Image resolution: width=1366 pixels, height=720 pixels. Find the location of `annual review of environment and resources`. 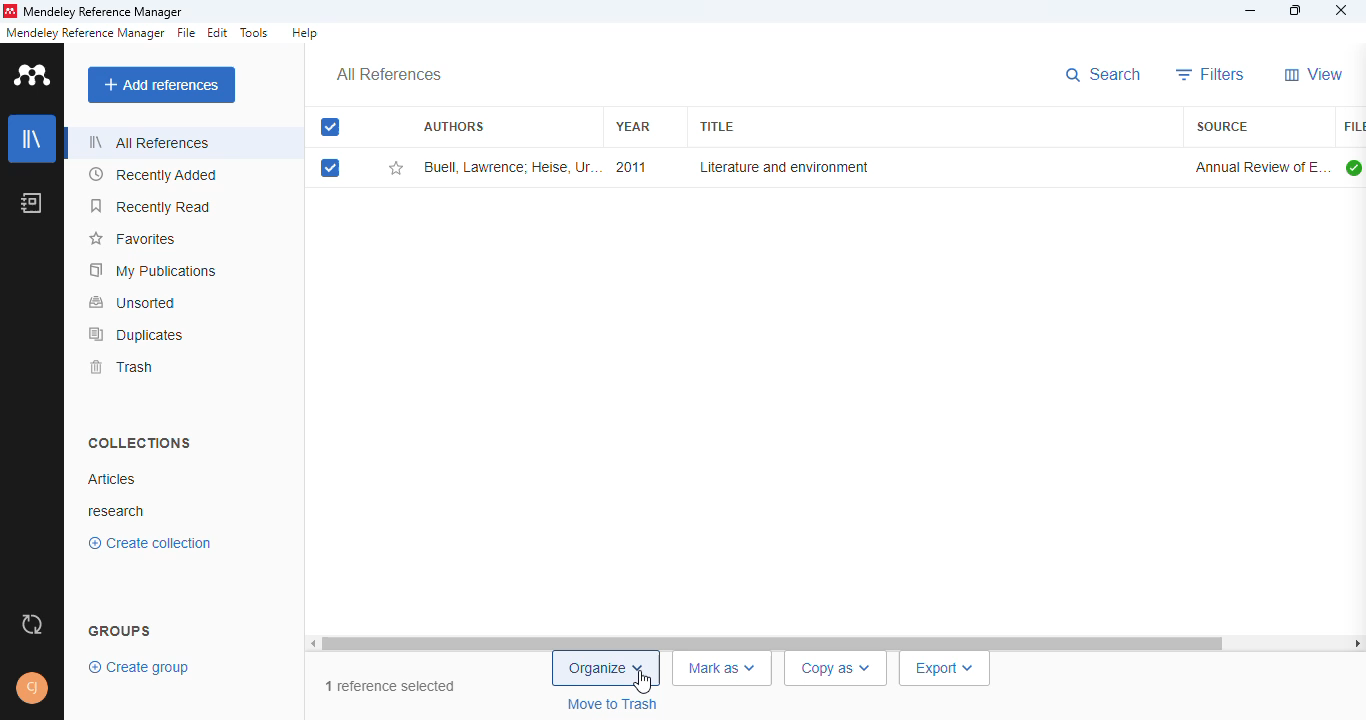

annual review of environment and resources is located at coordinates (1261, 167).